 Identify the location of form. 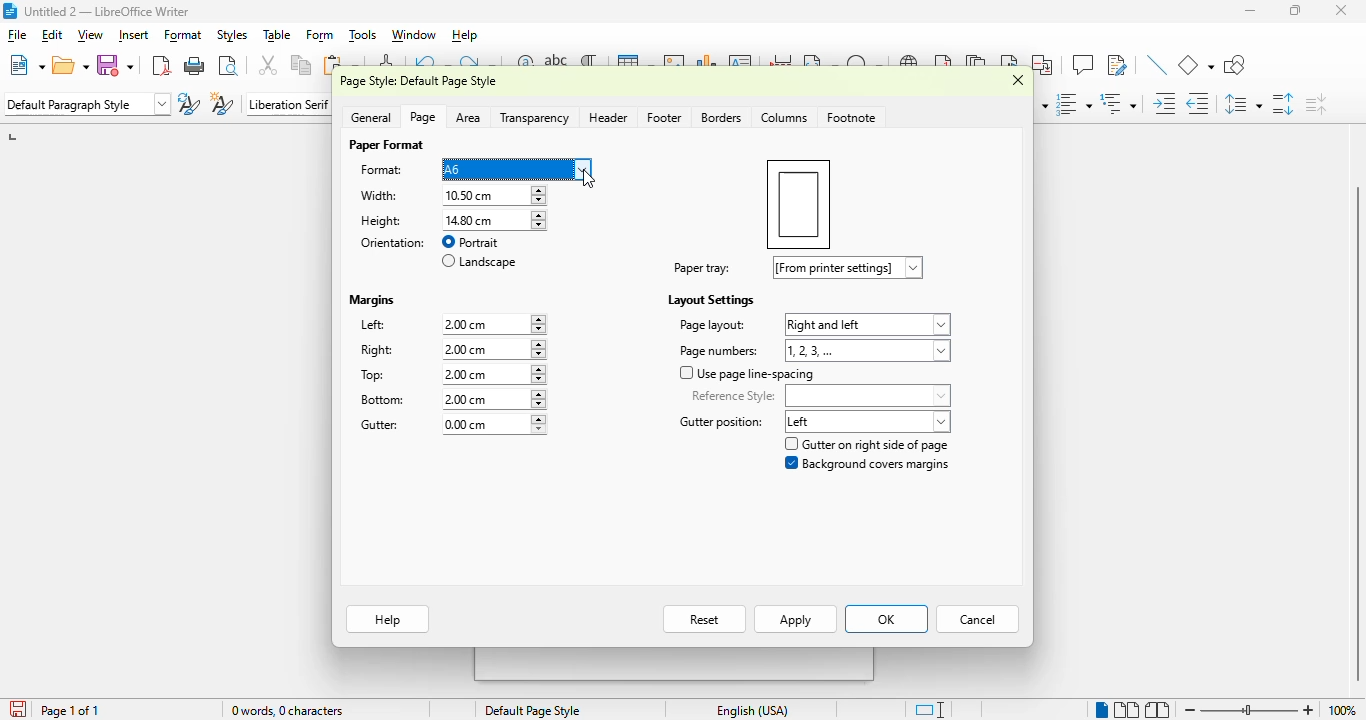
(319, 35).